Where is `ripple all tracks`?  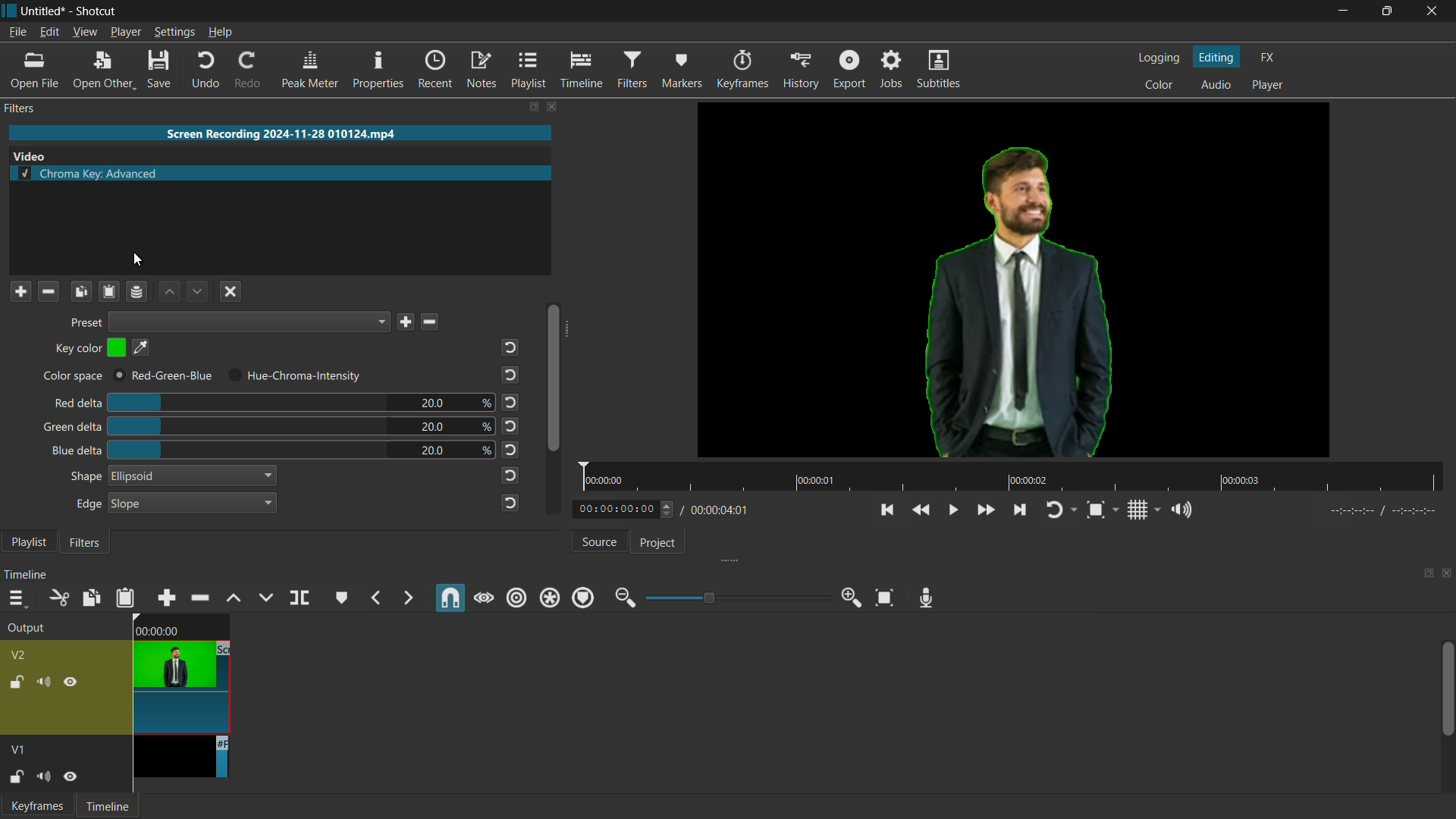 ripple all tracks is located at coordinates (548, 598).